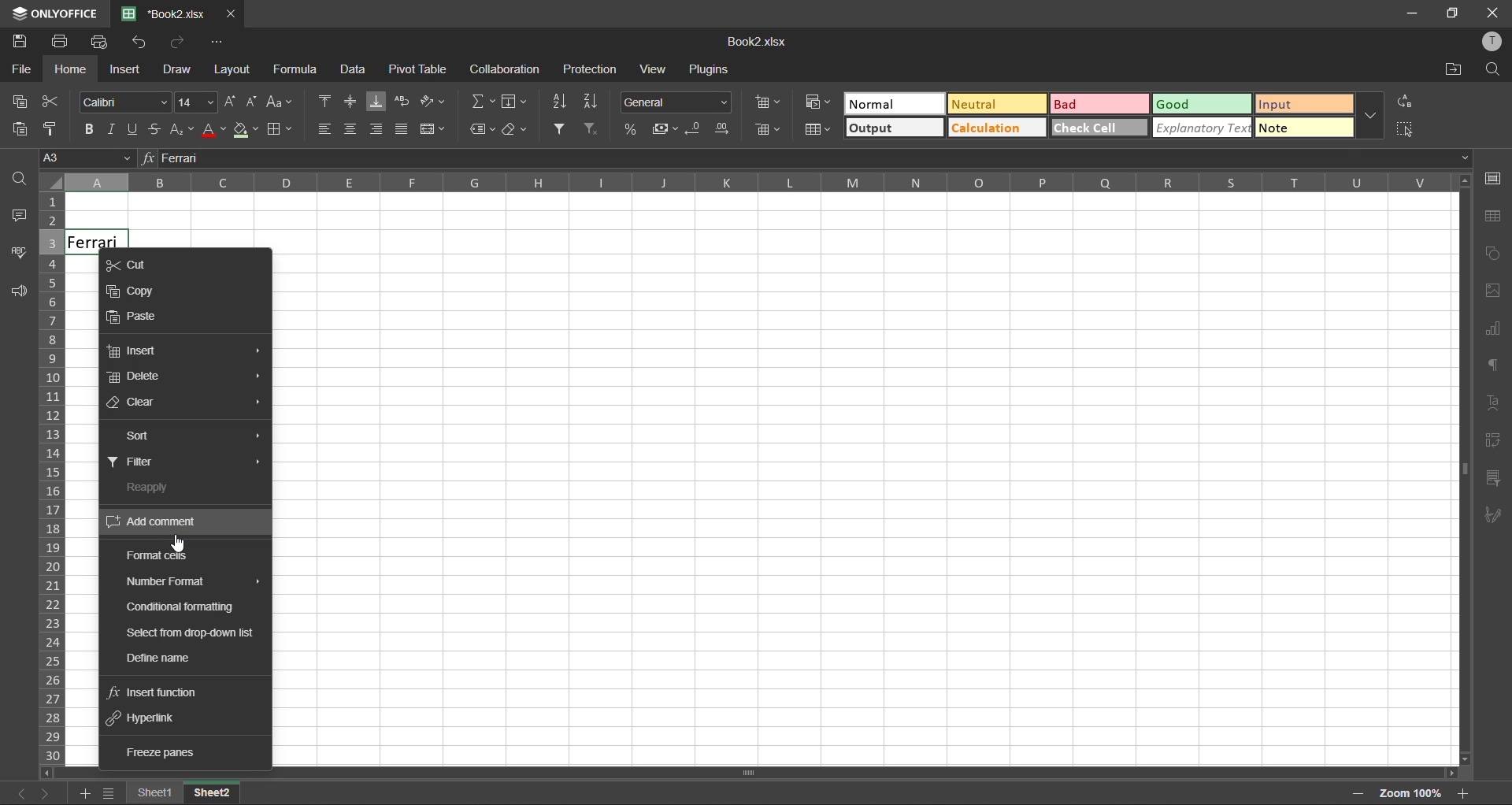 The height and width of the screenshot is (805, 1512). What do you see at coordinates (1305, 106) in the screenshot?
I see `input` at bounding box center [1305, 106].